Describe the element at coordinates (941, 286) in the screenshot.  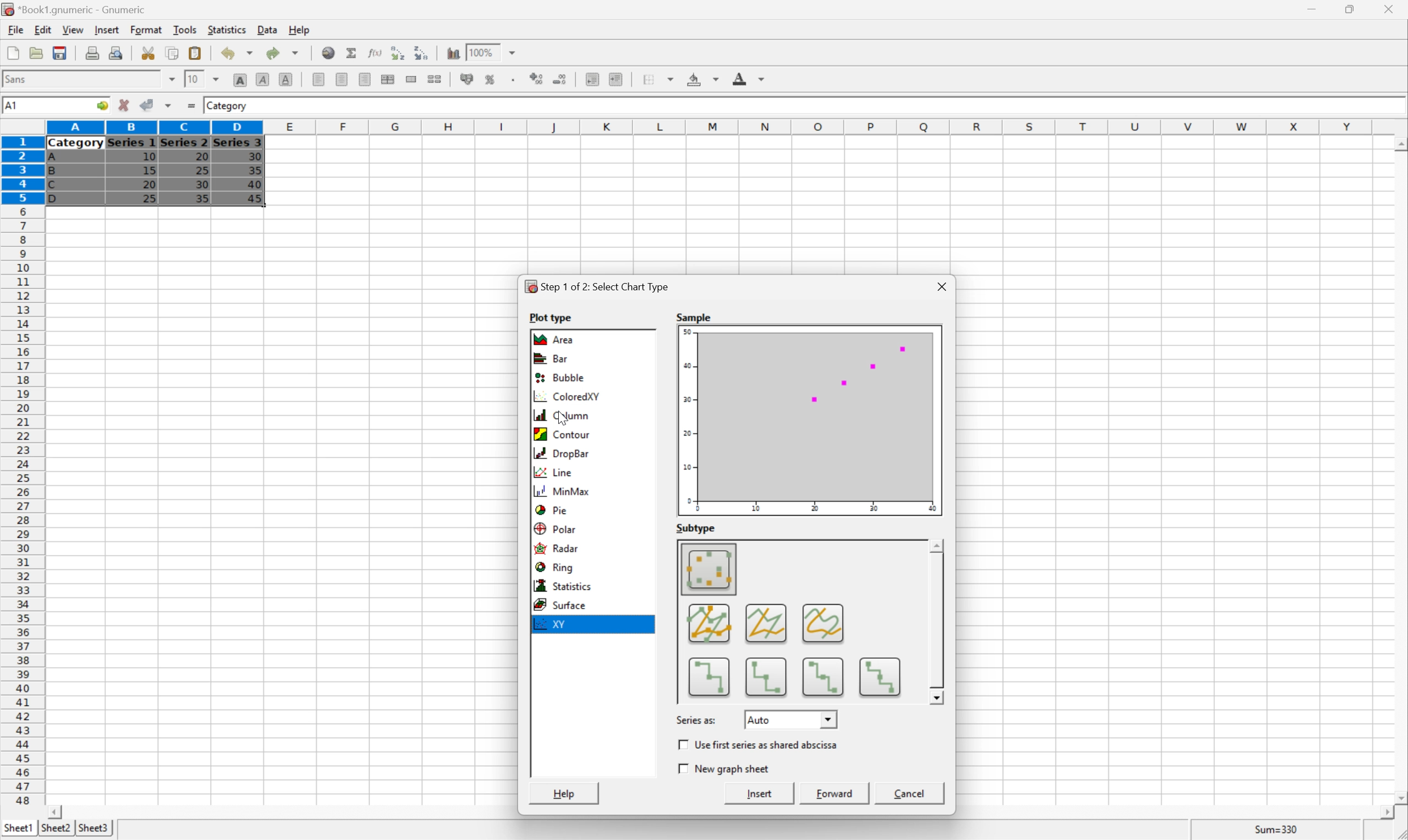
I see `Close` at that location.